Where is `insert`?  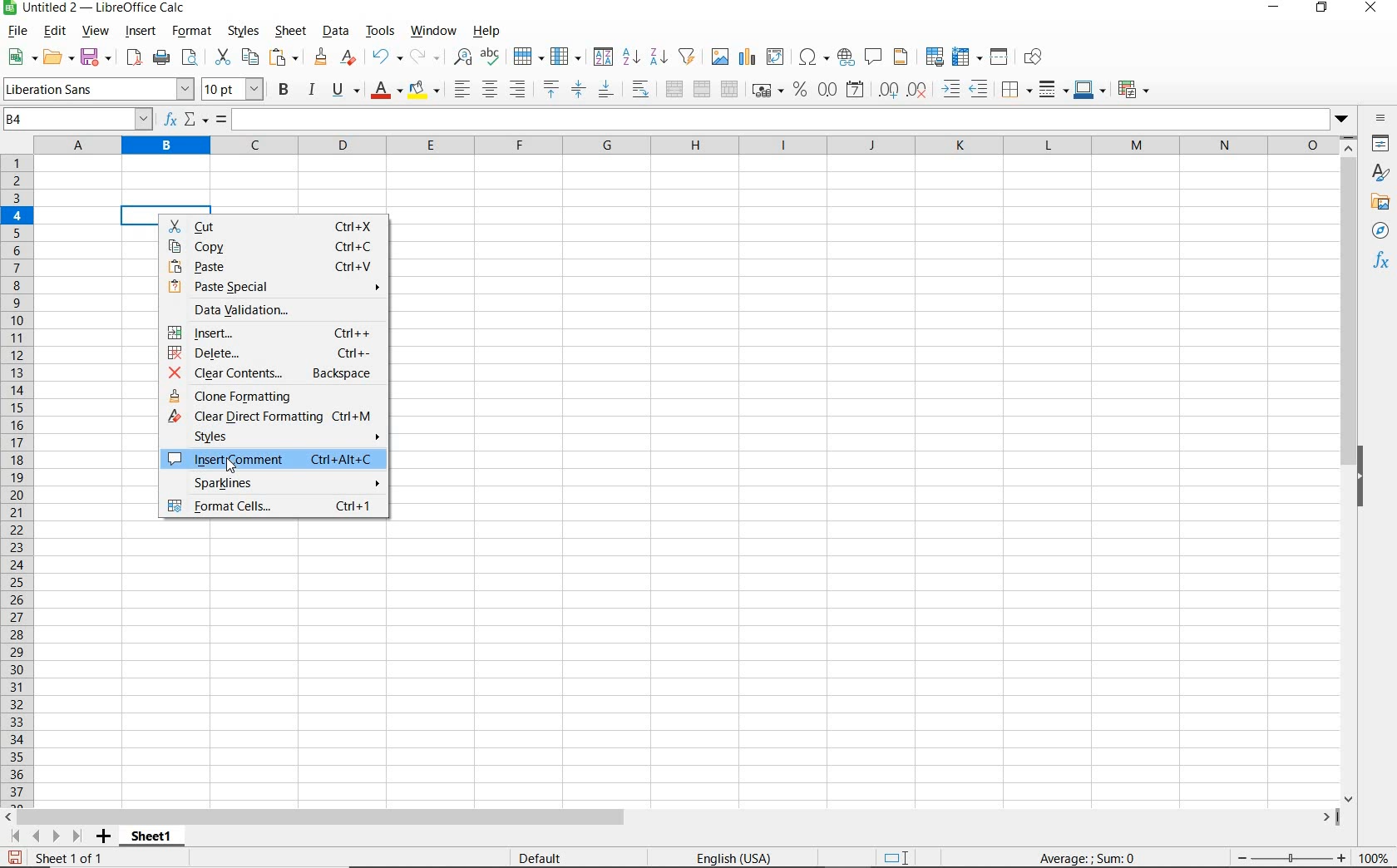
insert is located at coordinates (273, 333).